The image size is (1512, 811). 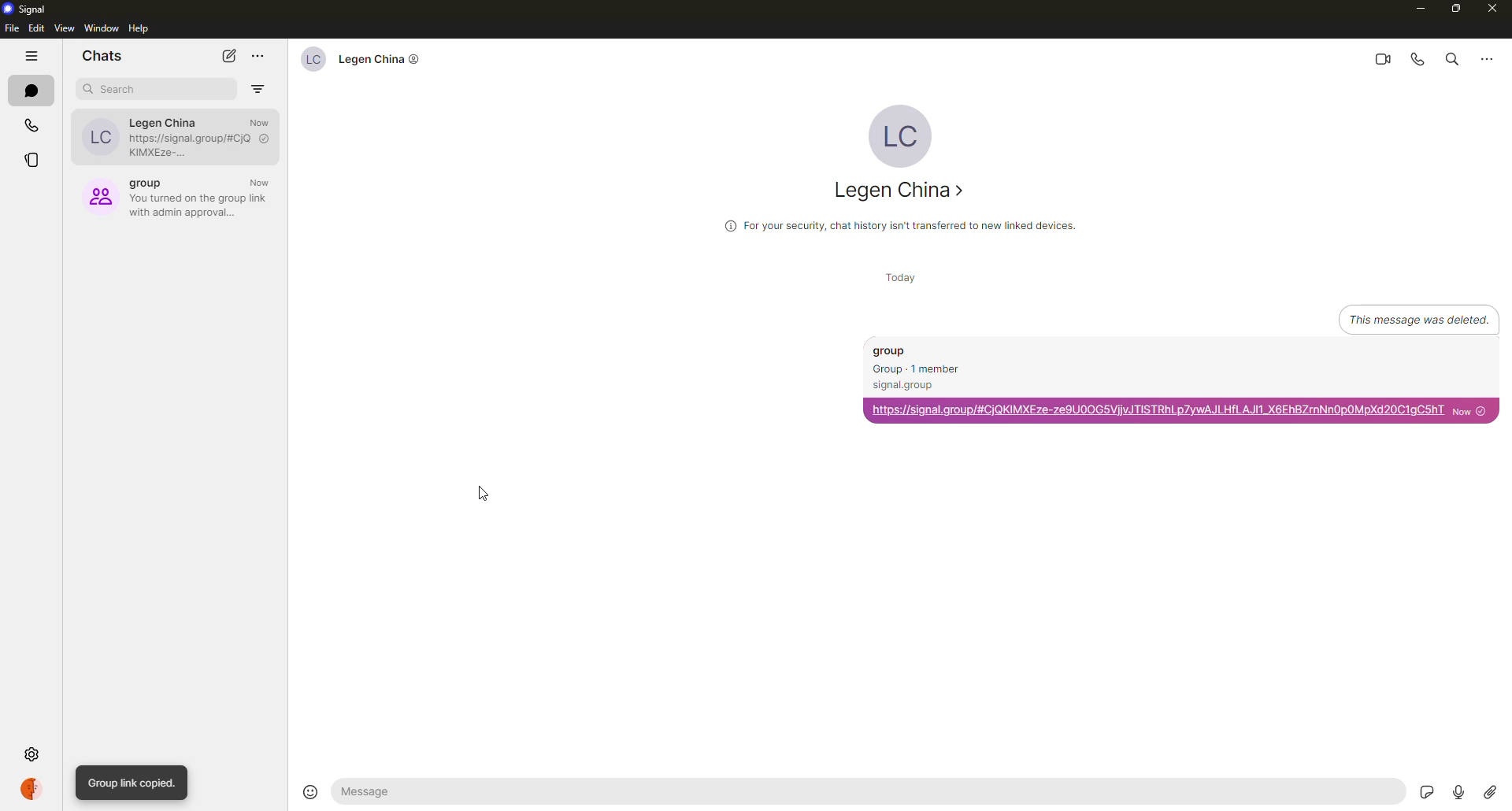 I want to click on profile pic, so click(x=900, y=133).